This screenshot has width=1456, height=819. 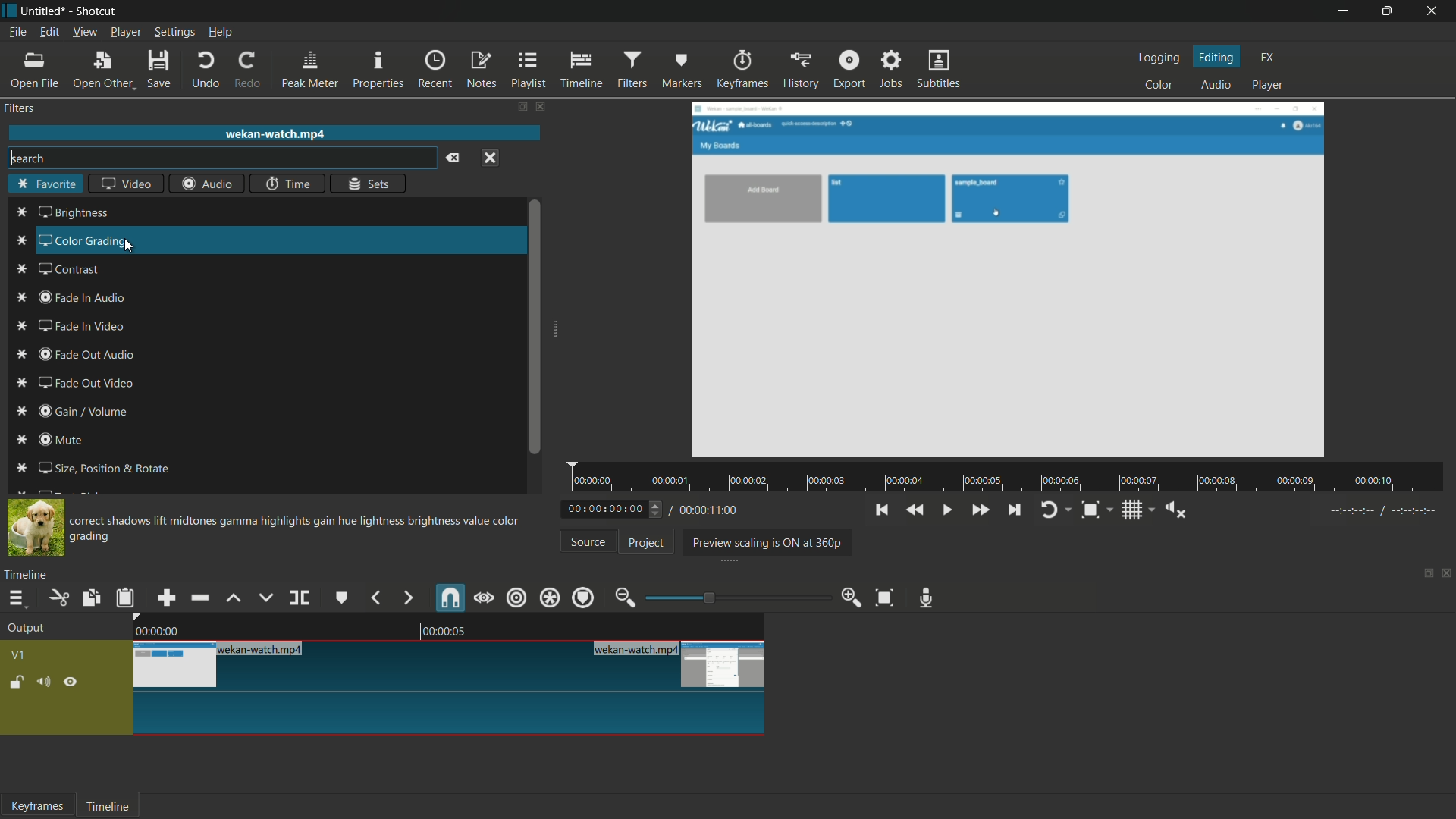 What do you see at coordinates (548, 598) in the screenshot?
I see `ripple all tracks` at bounding box center [548, 598].